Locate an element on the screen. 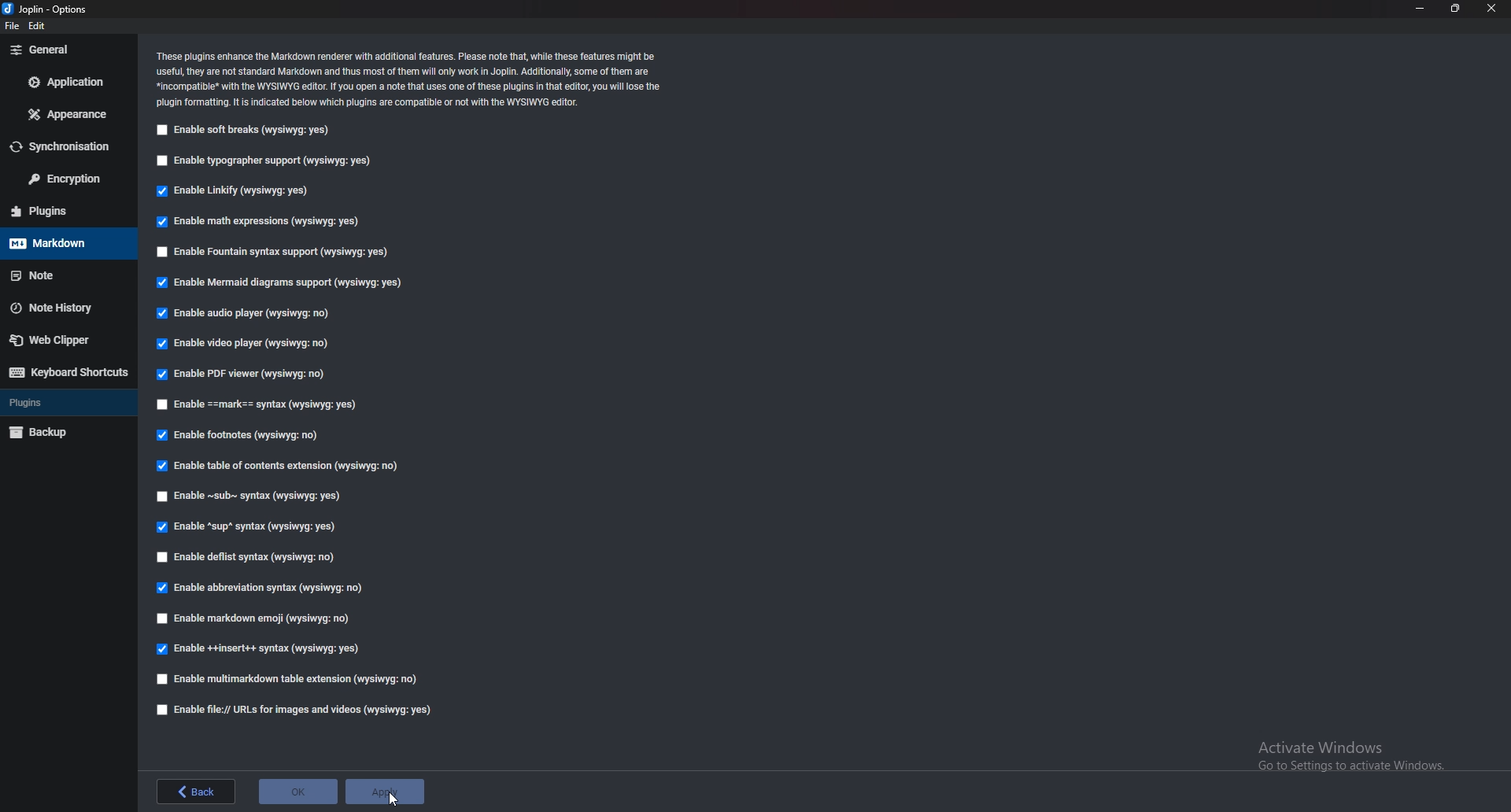 This screenshot has height=812, width=1511. enable abbreviations syntax is located at coordinates (260, 588).